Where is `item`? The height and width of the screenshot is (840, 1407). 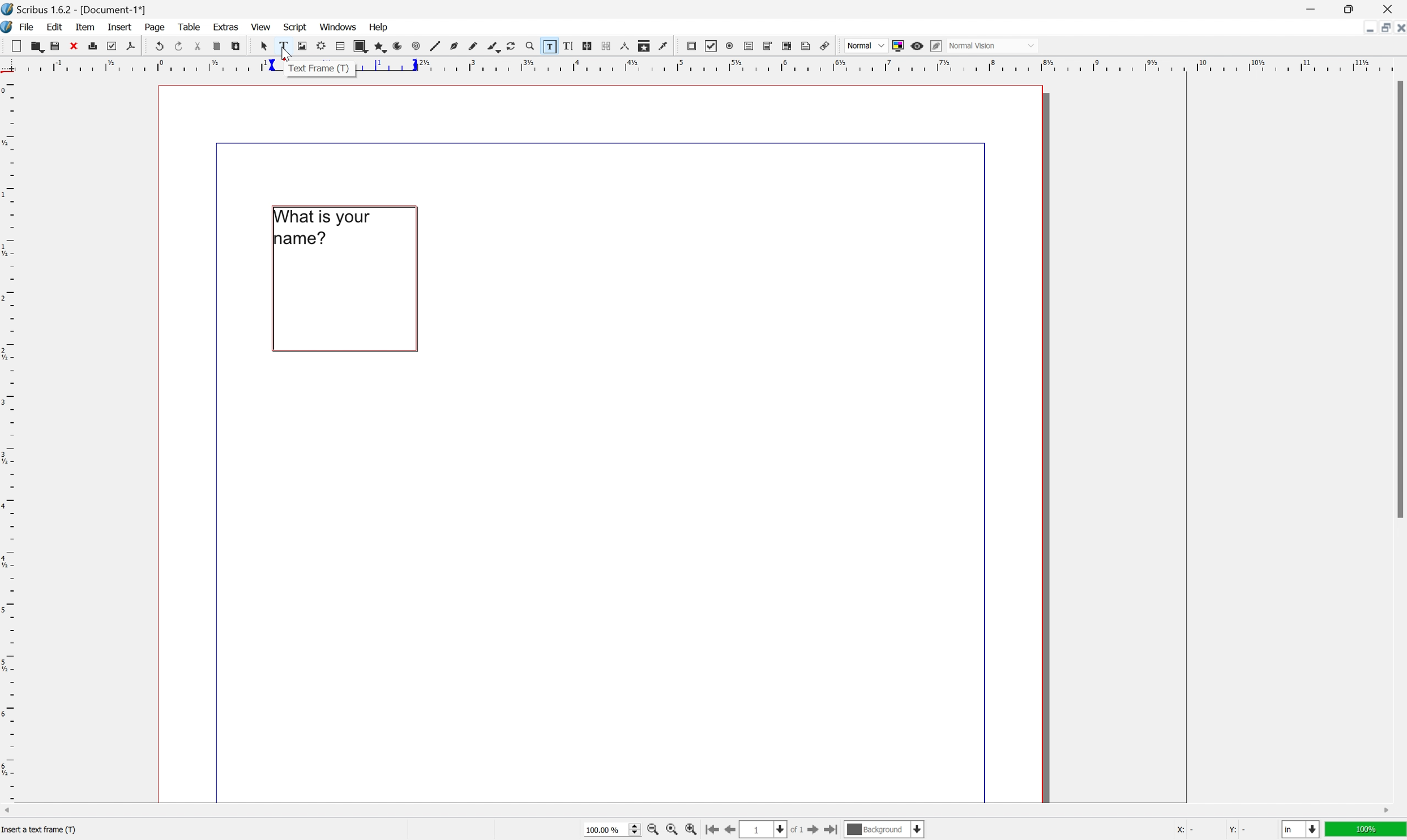 item is located at coordinates (87, 27).